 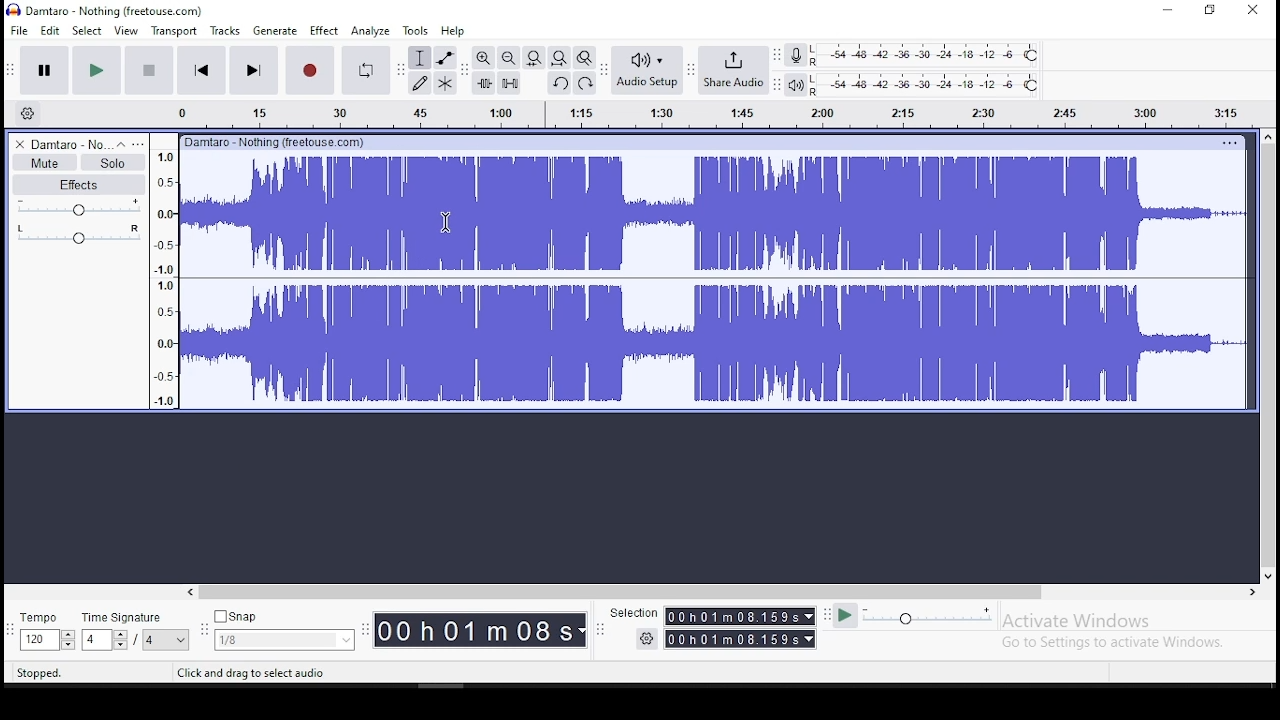 What do you see at coordinates (1231, 140) in the screenshot?
I see `` at bounding box center [1231, 140].